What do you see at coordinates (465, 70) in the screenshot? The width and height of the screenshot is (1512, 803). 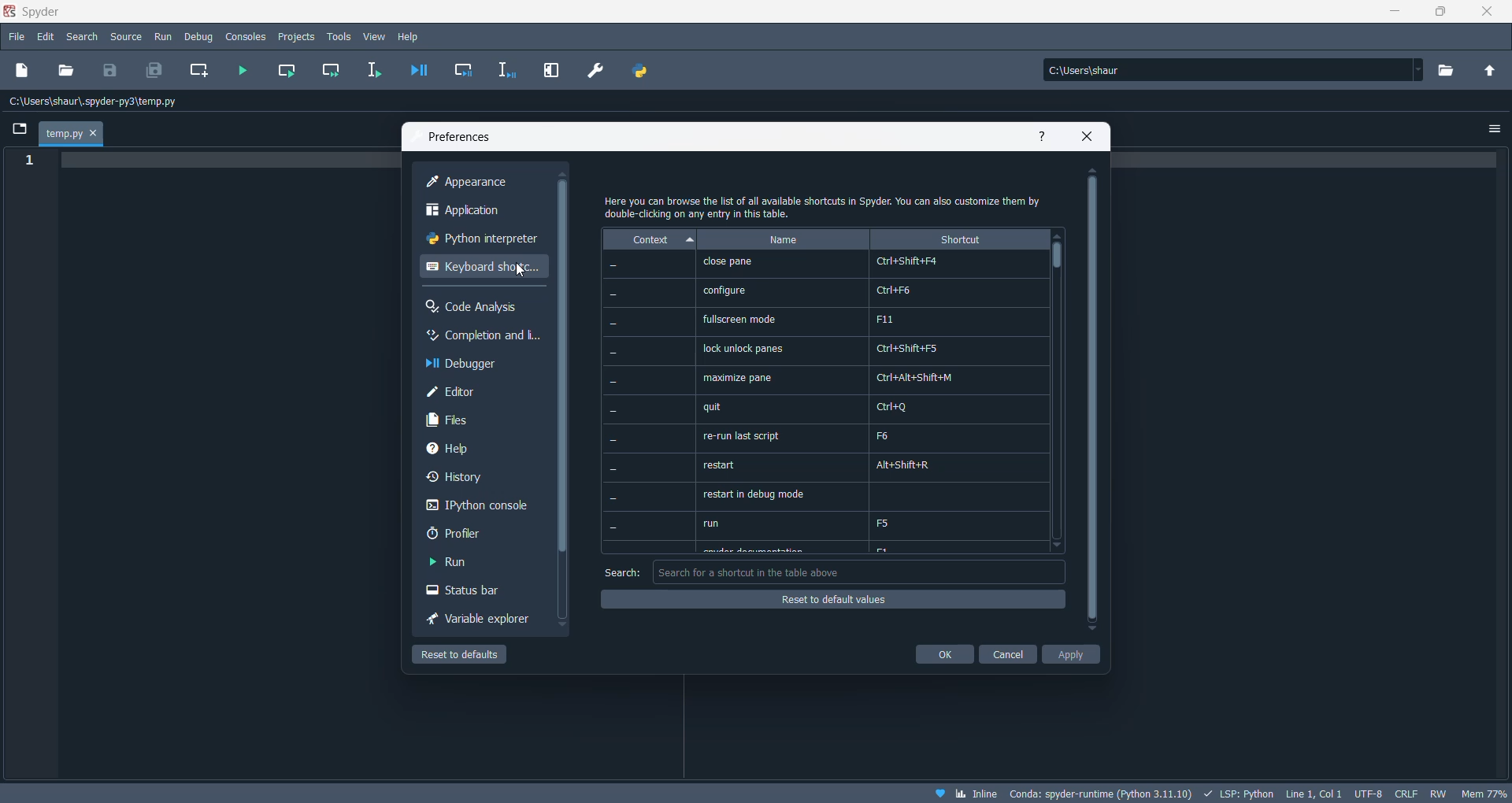 I see `debug cell` at bounding box center [465, 70].